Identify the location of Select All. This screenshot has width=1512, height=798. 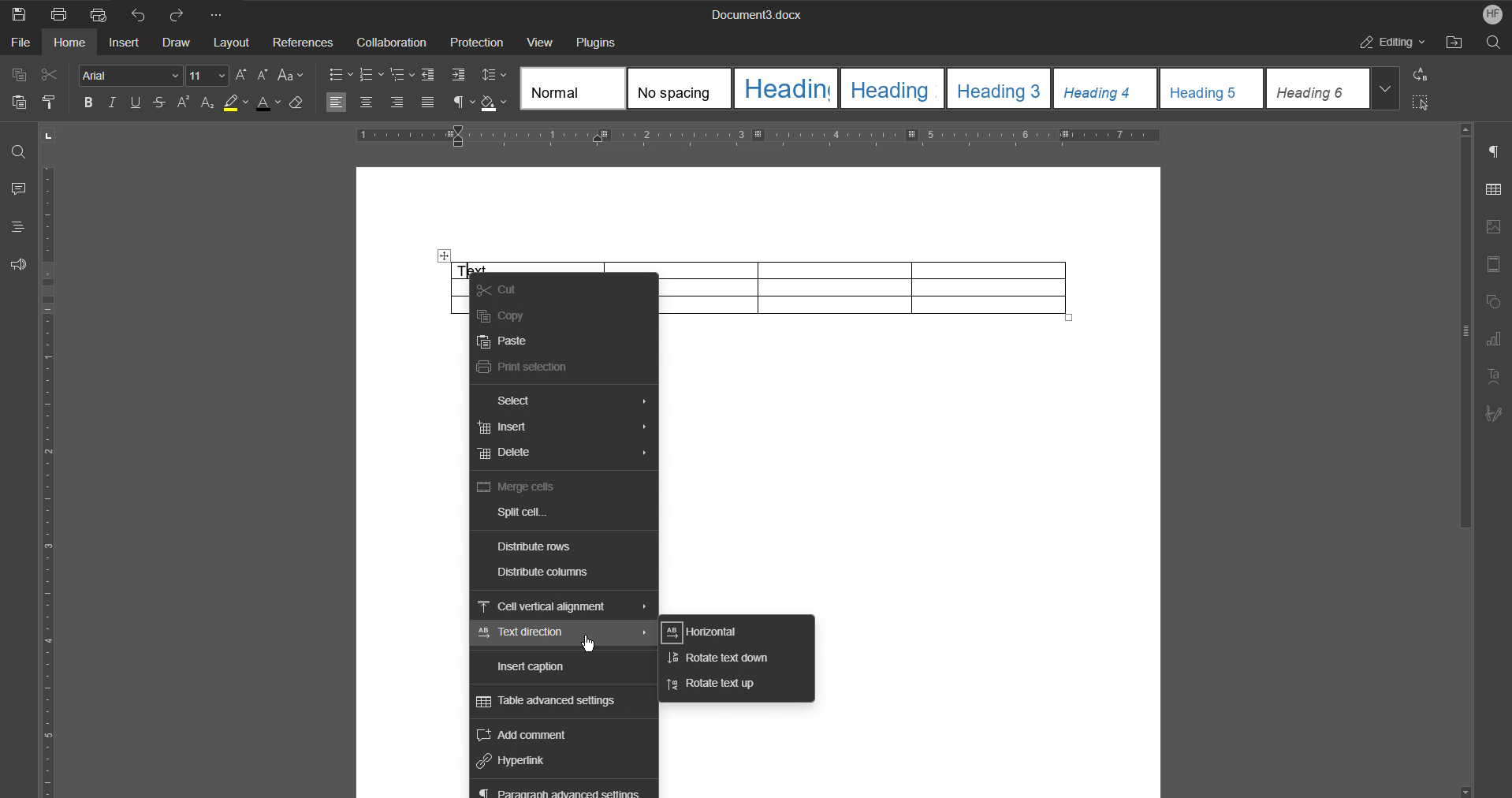
(1424, 102).